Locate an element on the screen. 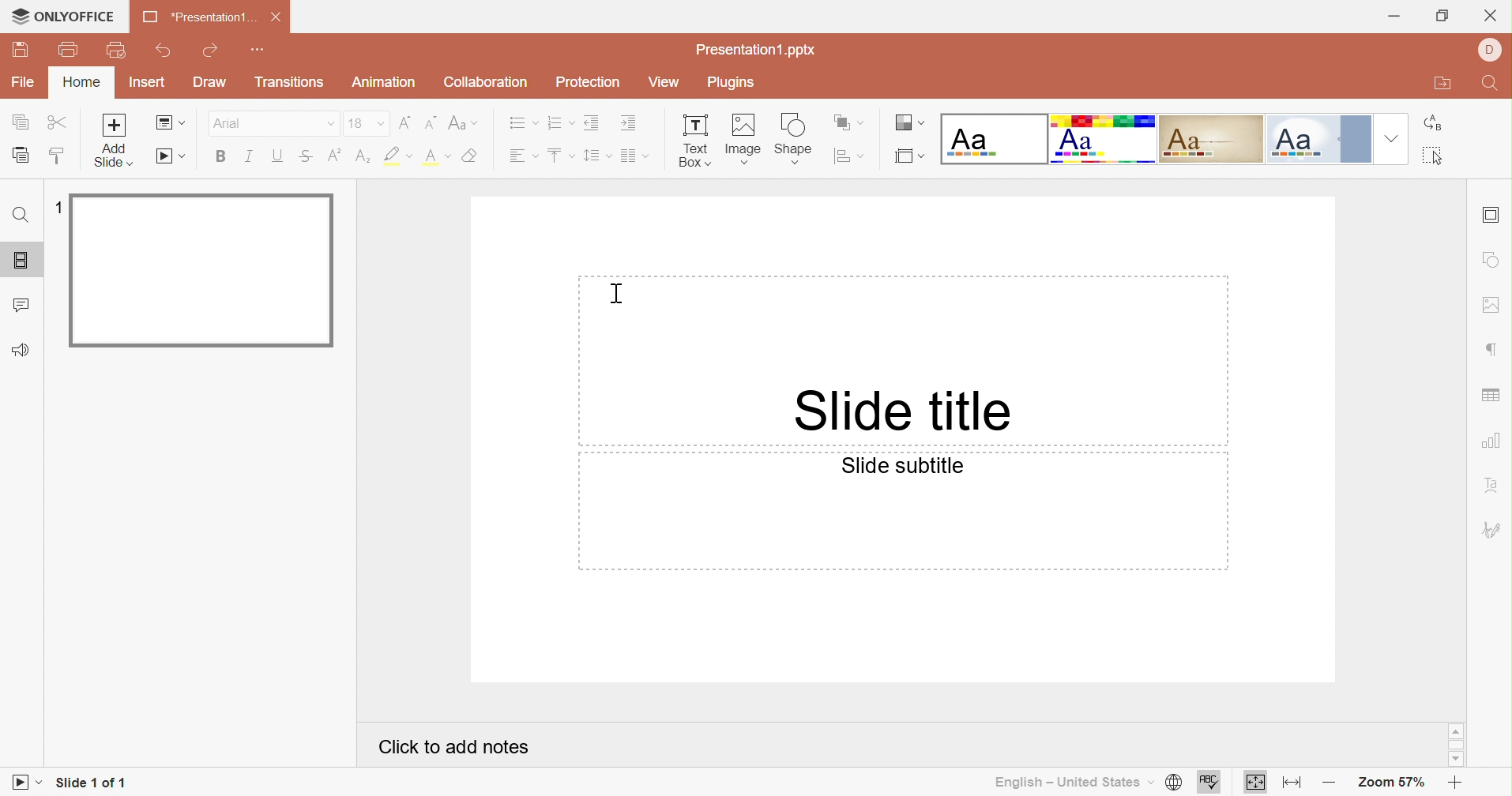  shape settings is located at coordinates (1491, 258).